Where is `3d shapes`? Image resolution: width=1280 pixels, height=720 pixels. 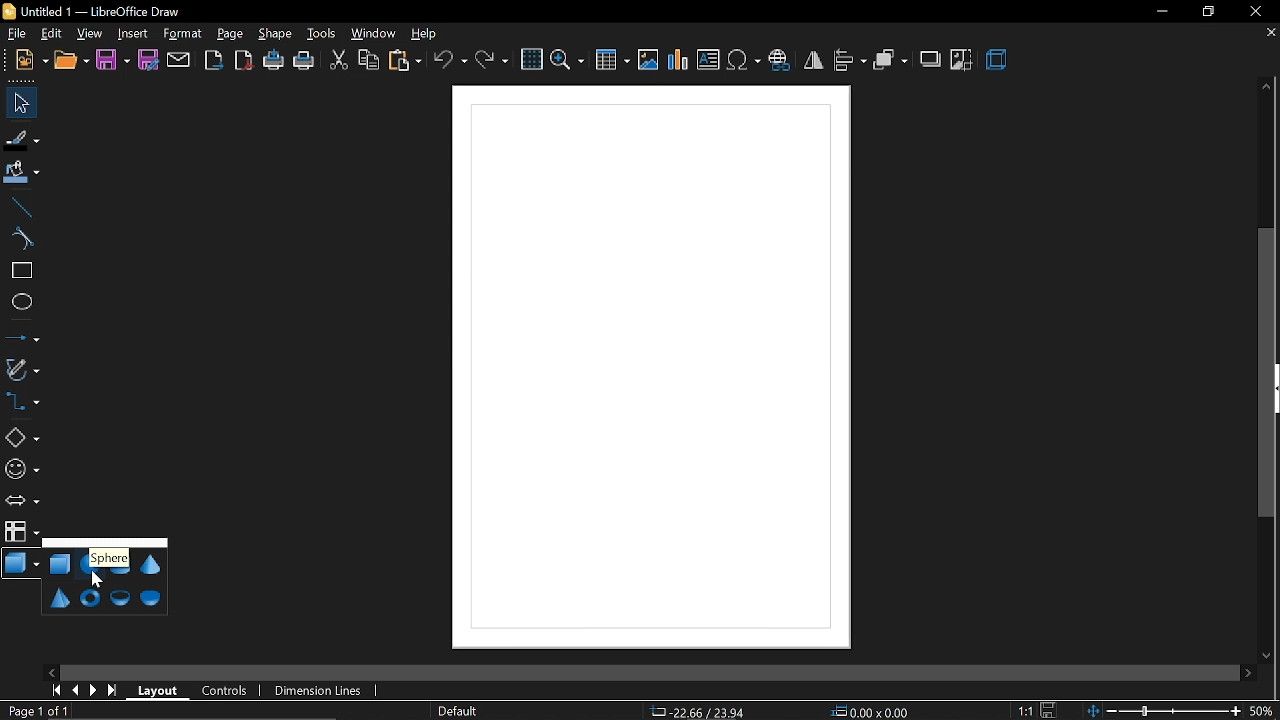 3d shapes is located at coordinates (22, 565).